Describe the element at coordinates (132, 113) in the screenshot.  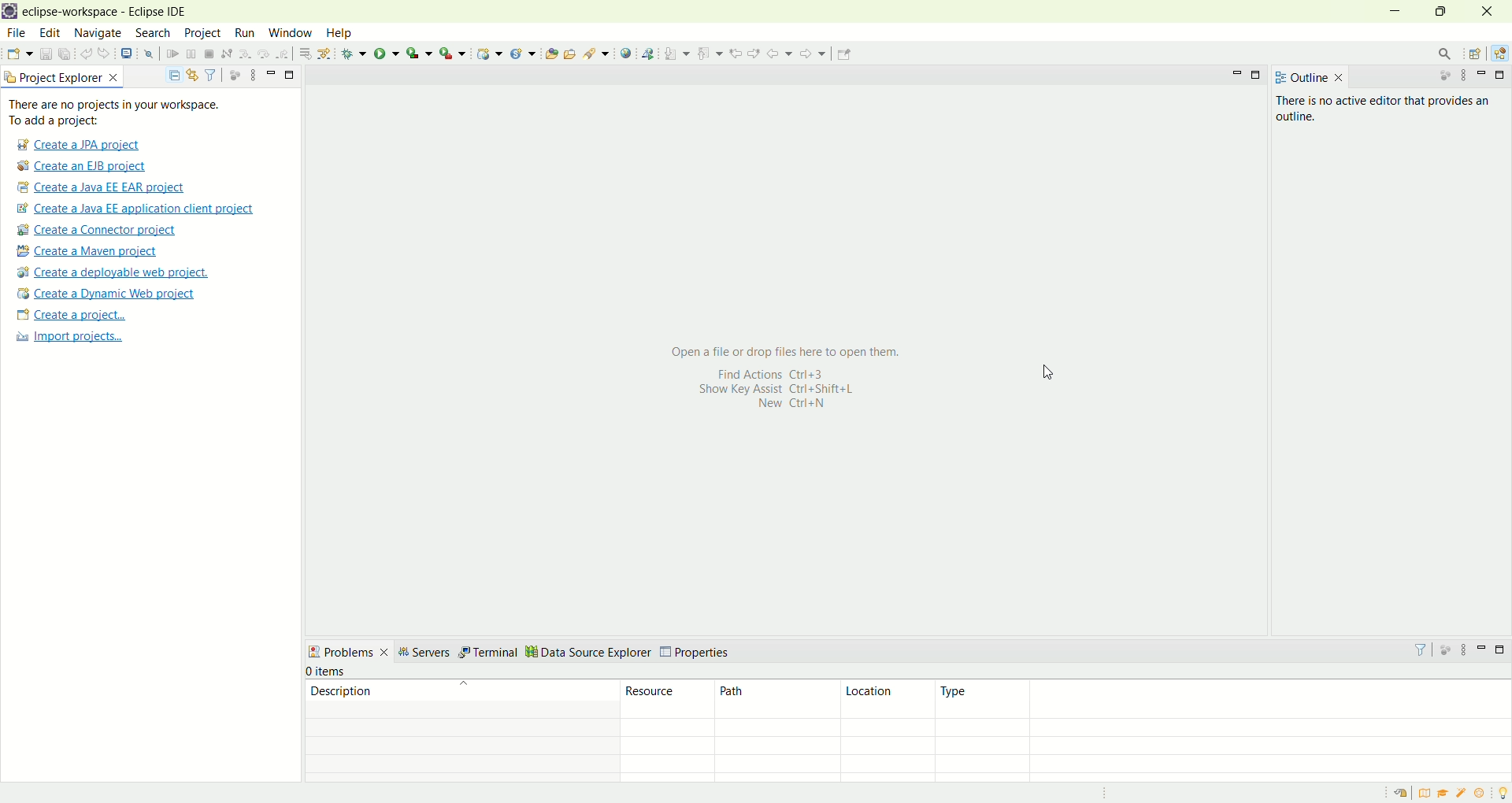
I see `text` at that location.